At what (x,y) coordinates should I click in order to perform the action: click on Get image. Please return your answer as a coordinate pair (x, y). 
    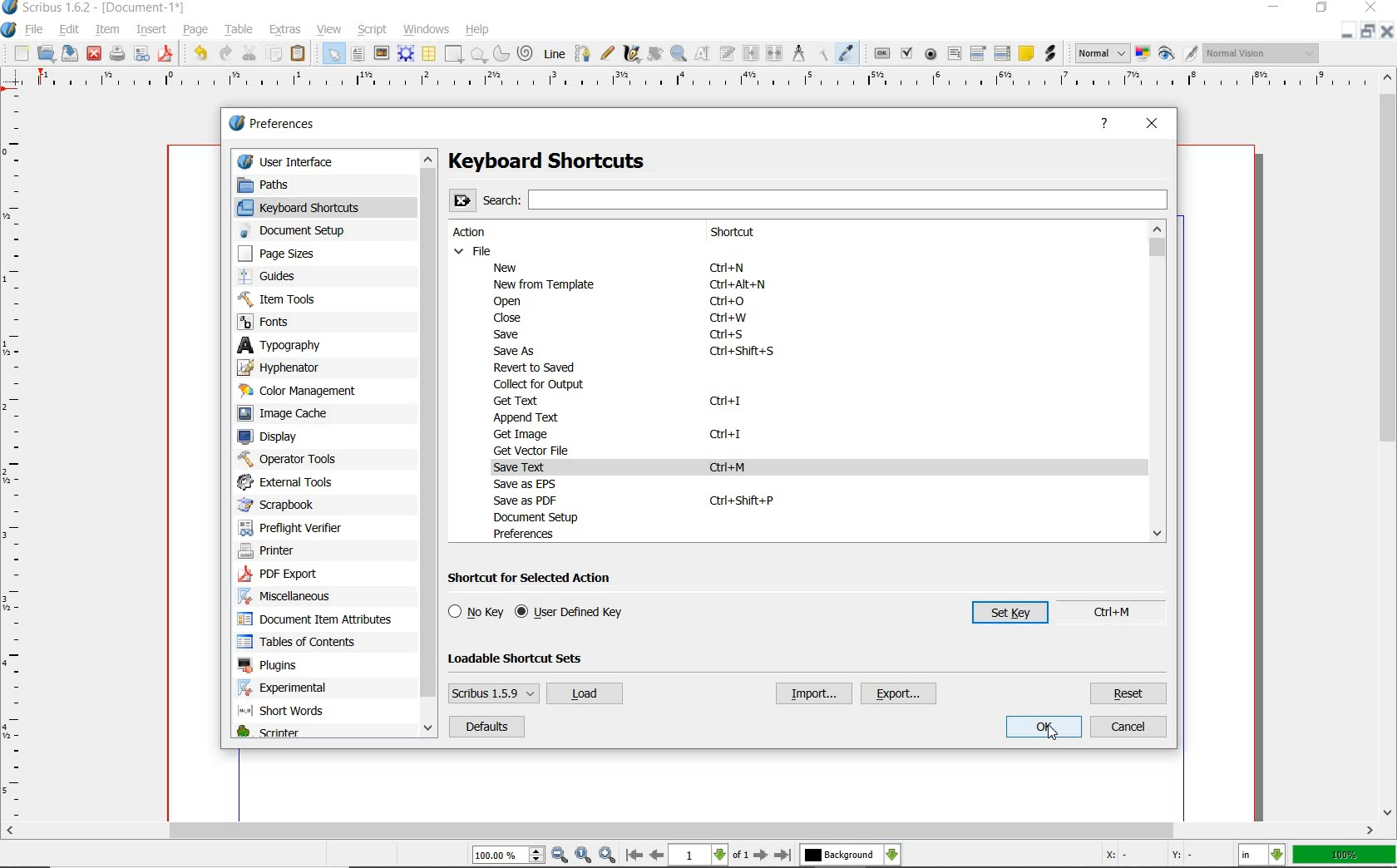
    Looking at the image, I should click on (529, 433).